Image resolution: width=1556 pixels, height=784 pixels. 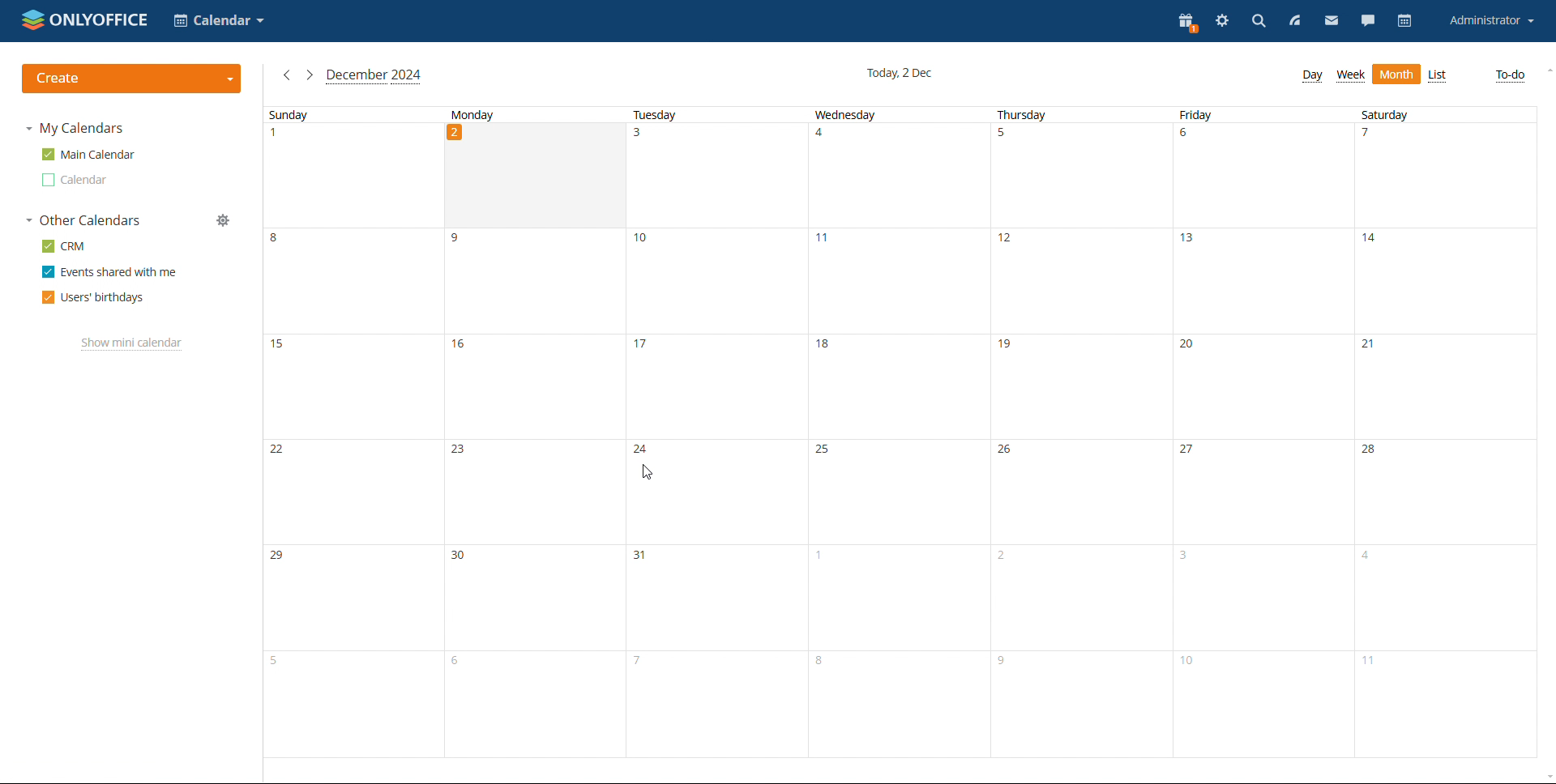 I want to click on 31, so click(x=643, y=556).